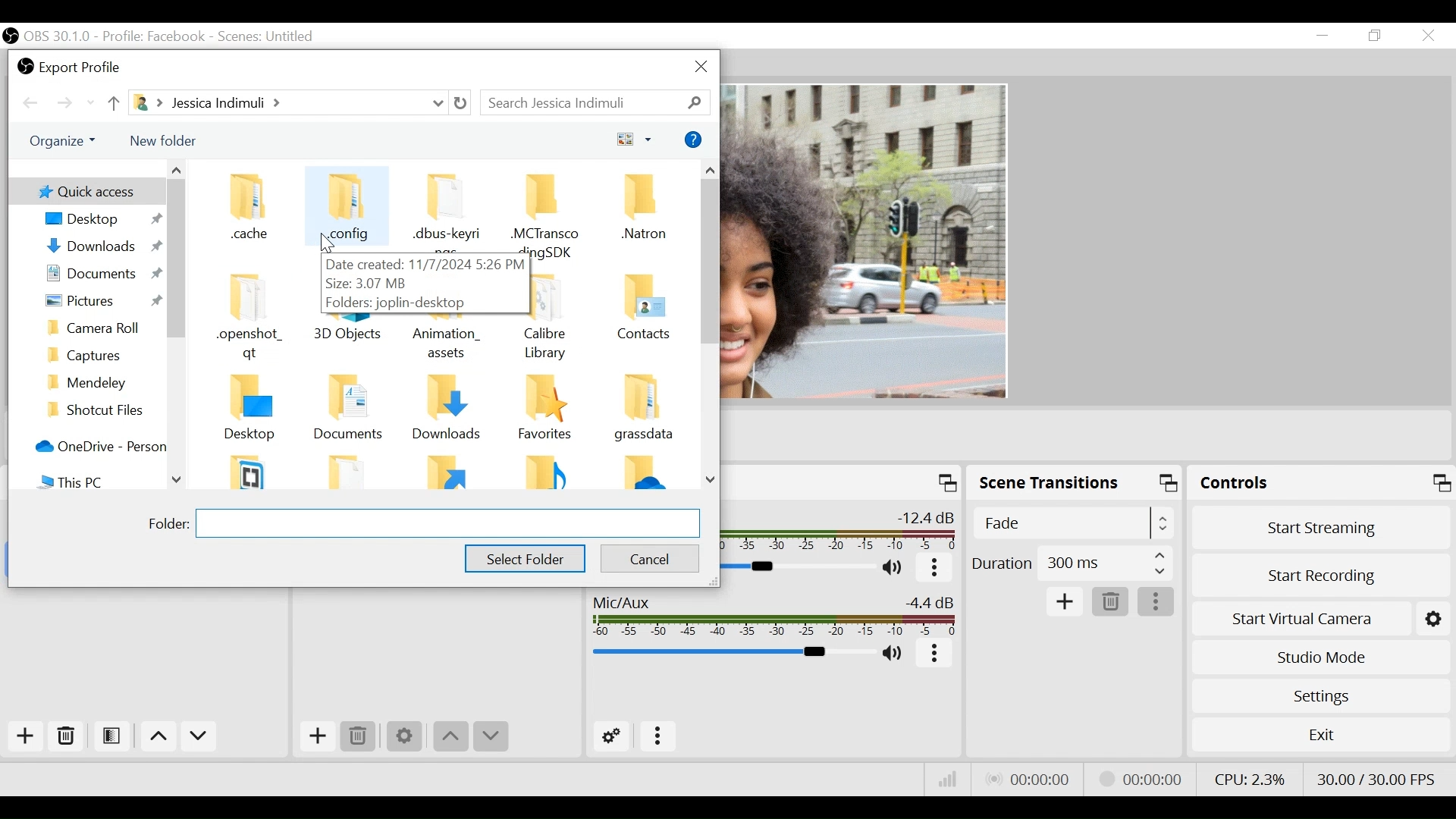 The width and height of the screenshot is (1456, 819). Describe the element at coordinates (176, 259) in the screenshot. I see `Vertical Scroll bar` at that location.